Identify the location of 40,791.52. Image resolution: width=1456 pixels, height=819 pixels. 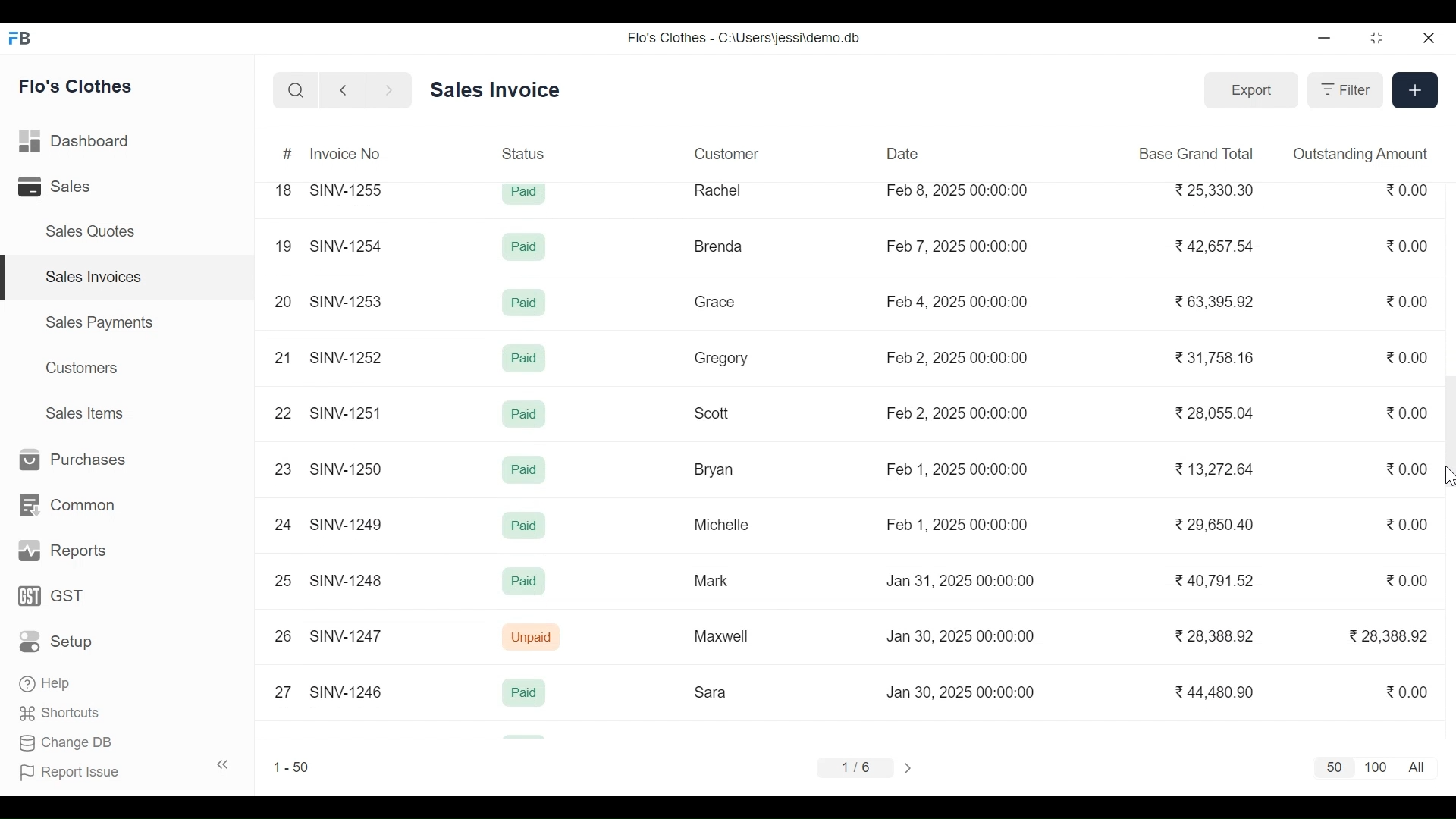
(1217, 582).